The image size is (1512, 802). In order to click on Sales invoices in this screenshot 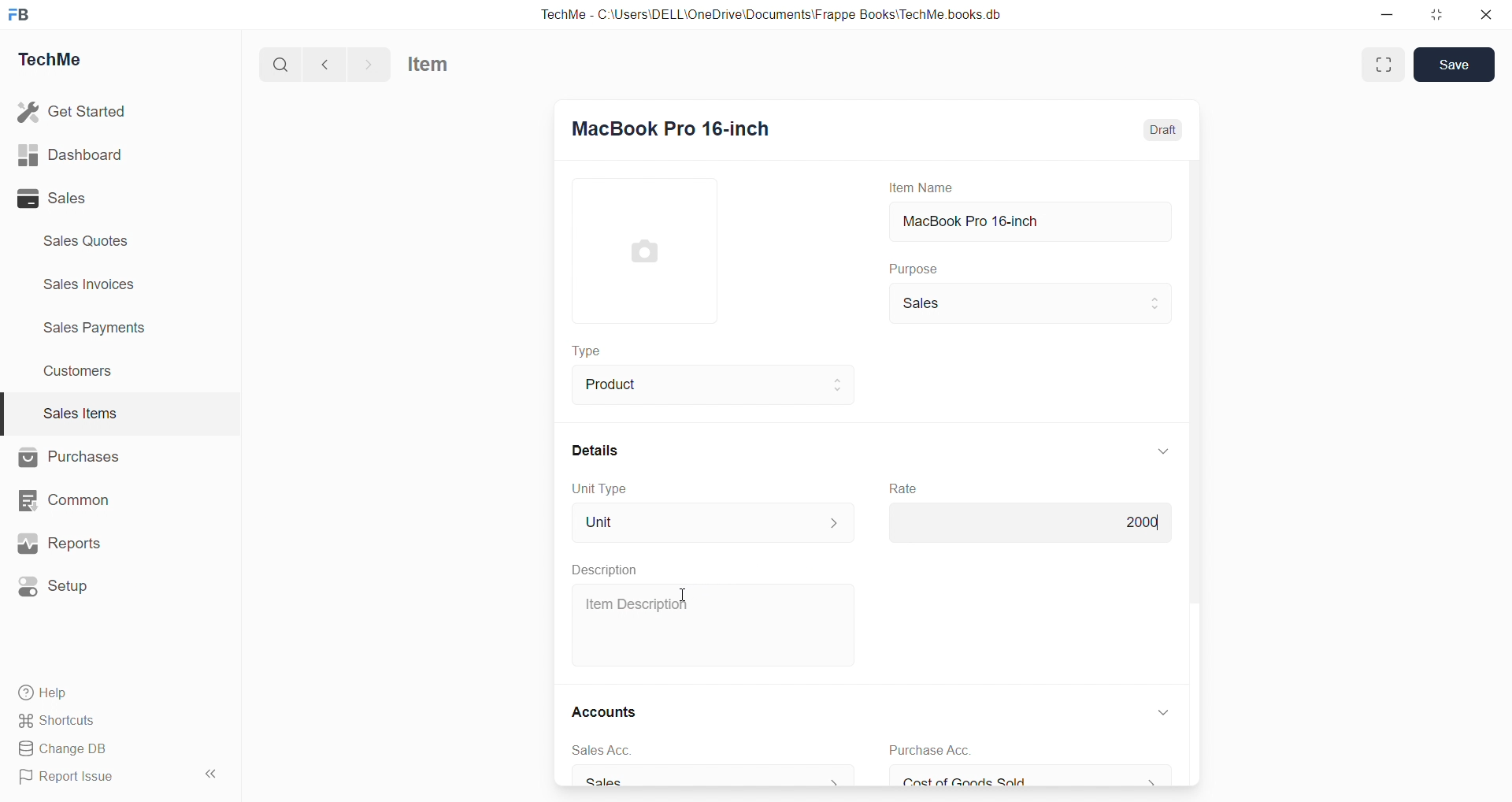, I will do `click(92, 284)`.